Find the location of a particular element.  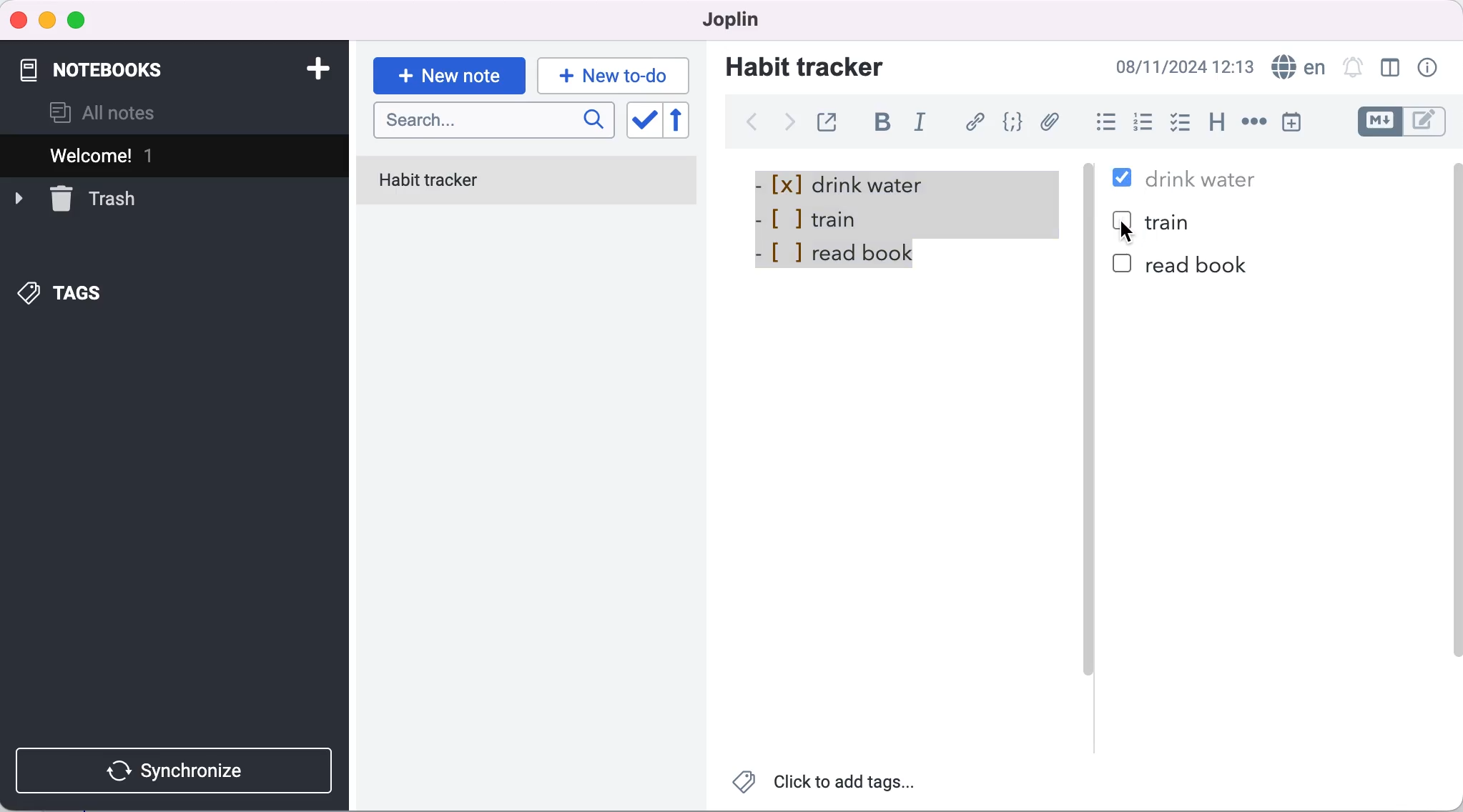

add notebook is located at coordinates (315, 67).